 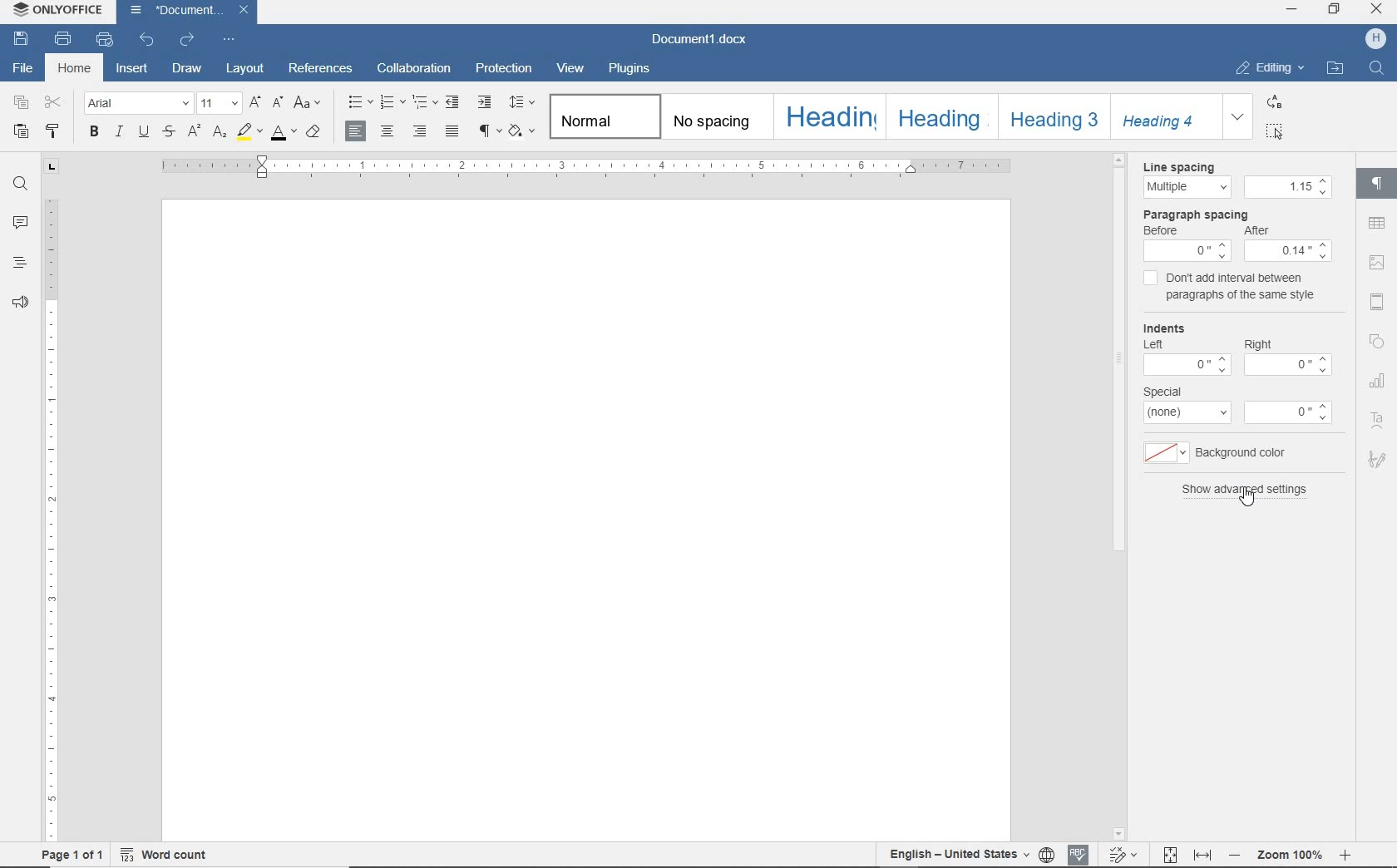 What do you see at coordinates (1335, 11) in the screenshot?
I see `RESTORE` at bounding box center [1335, 11].